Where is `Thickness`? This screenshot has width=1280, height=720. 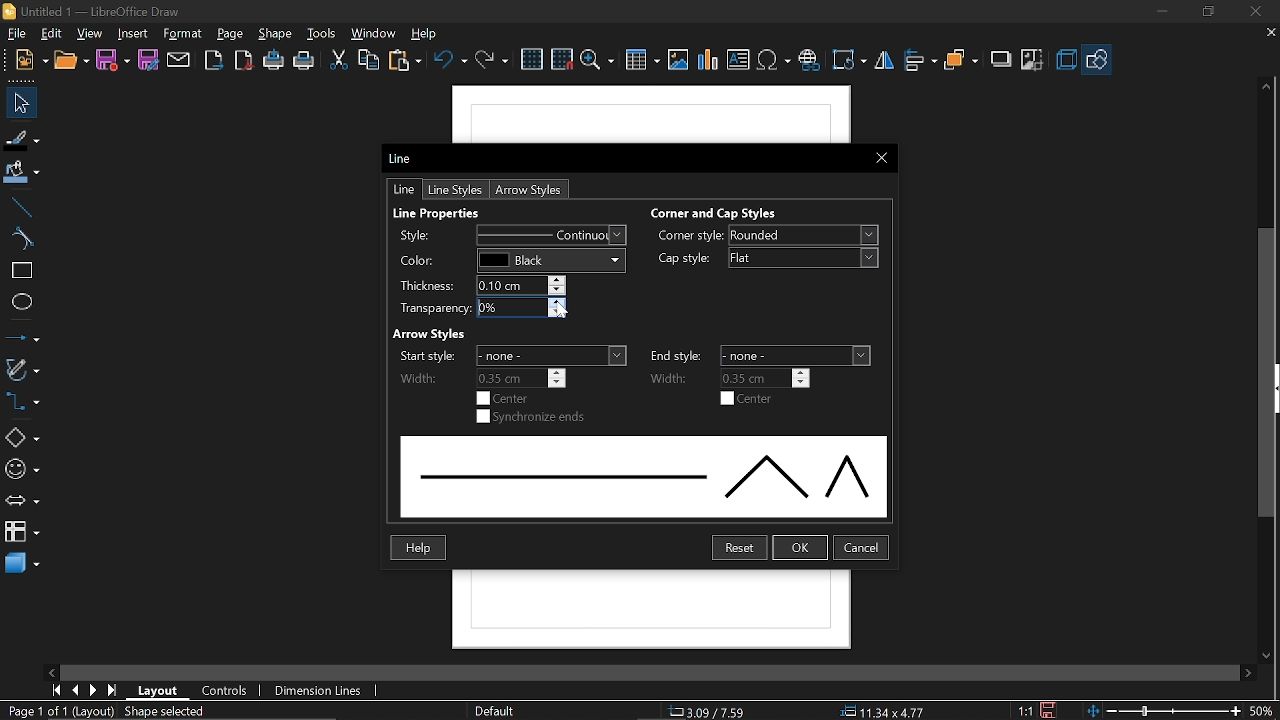
Thickness is located at coordinates (486, 285).